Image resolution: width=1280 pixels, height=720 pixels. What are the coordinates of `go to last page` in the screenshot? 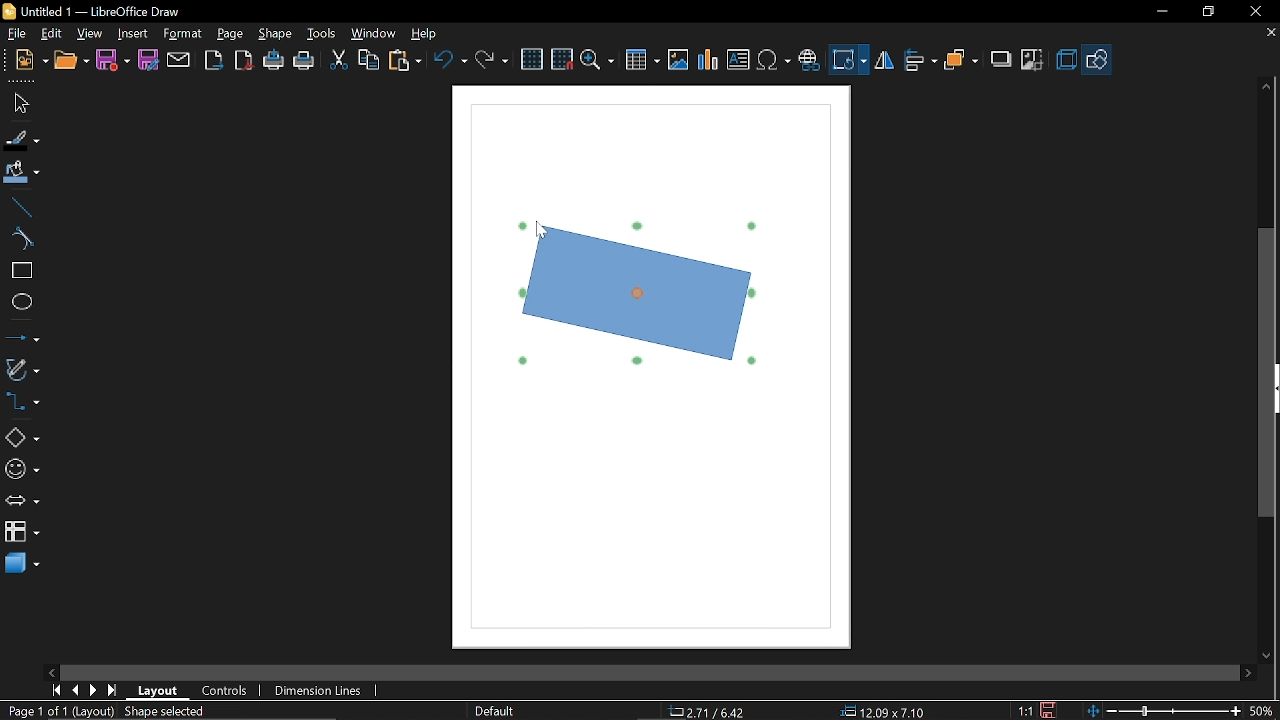 It's located at (114, 691).